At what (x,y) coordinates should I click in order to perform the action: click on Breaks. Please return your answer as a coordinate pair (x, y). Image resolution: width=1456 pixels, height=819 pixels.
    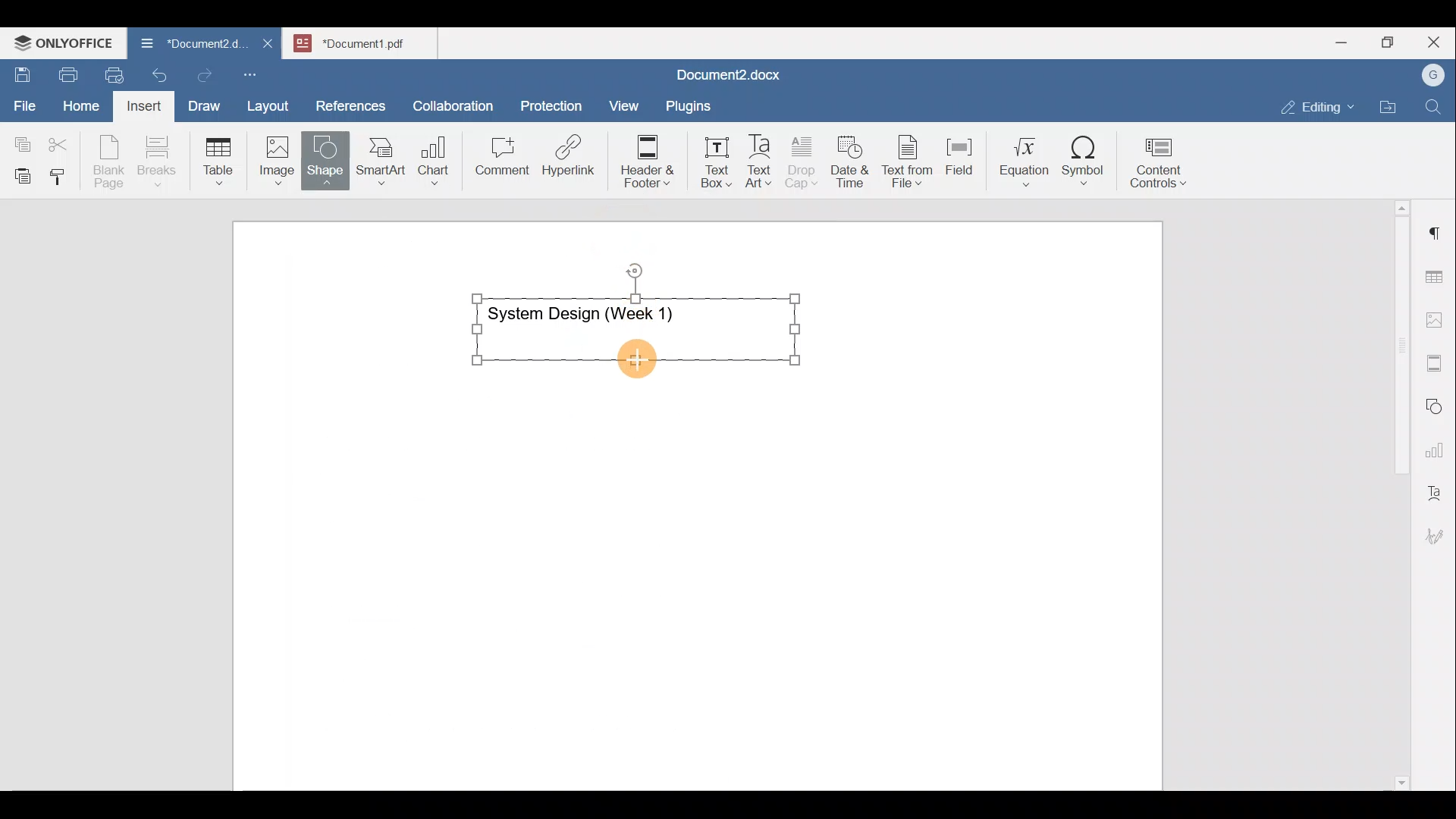
    Looking at the image, I should click on (156, 162).